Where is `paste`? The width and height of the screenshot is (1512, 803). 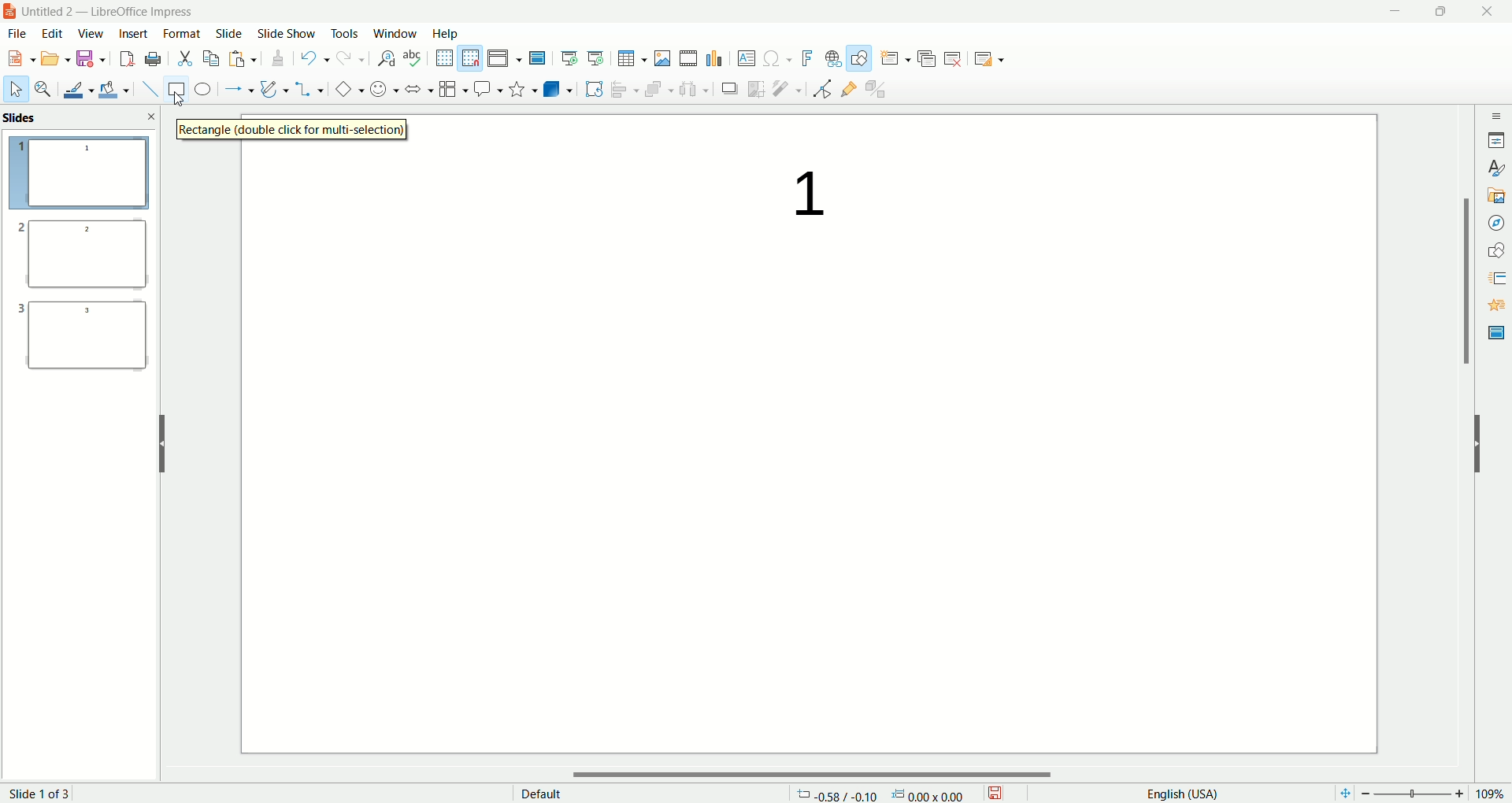 paste is located at coordinates (244, 60).